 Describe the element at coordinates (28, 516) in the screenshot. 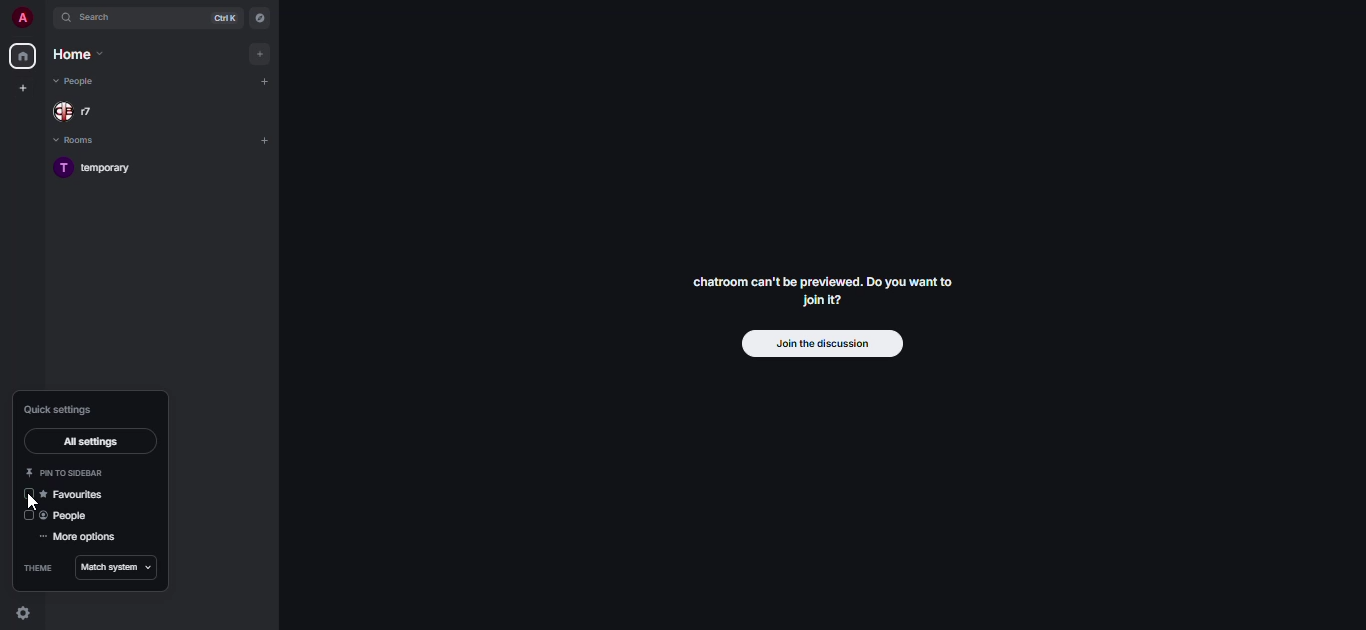

I see `click to enable` at that location.